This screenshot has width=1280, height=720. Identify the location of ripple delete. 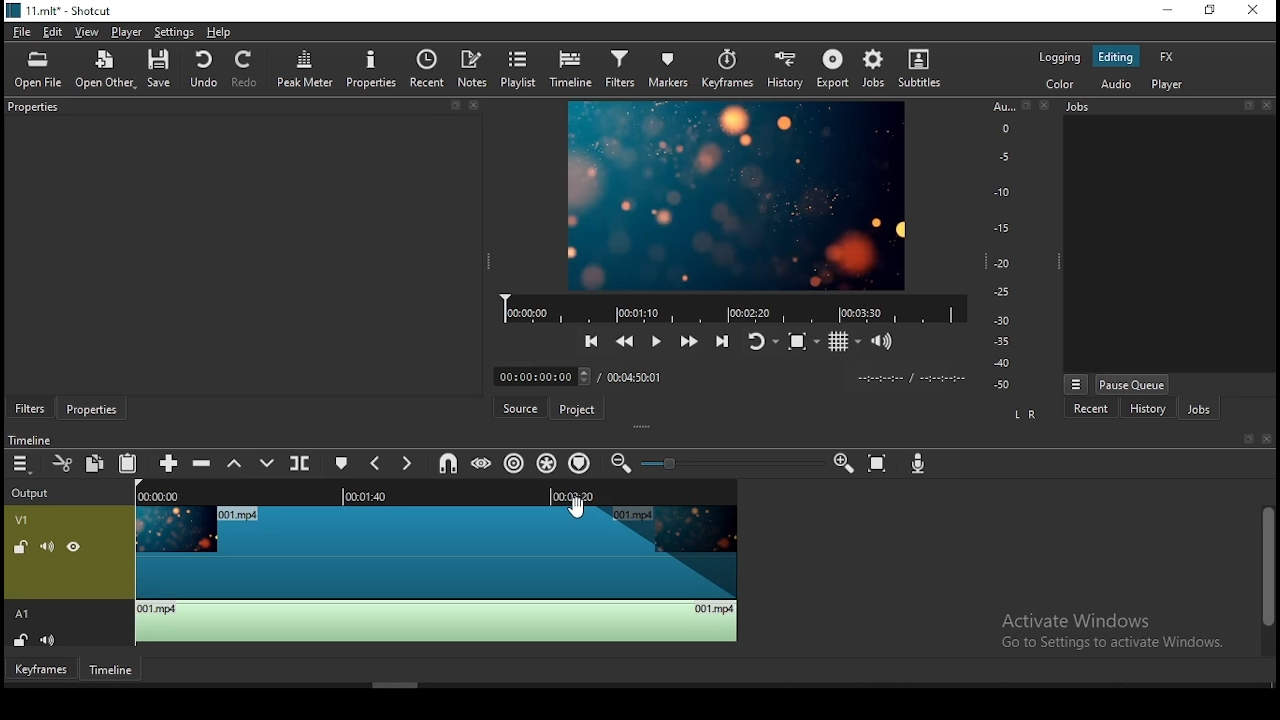
(203, 463).